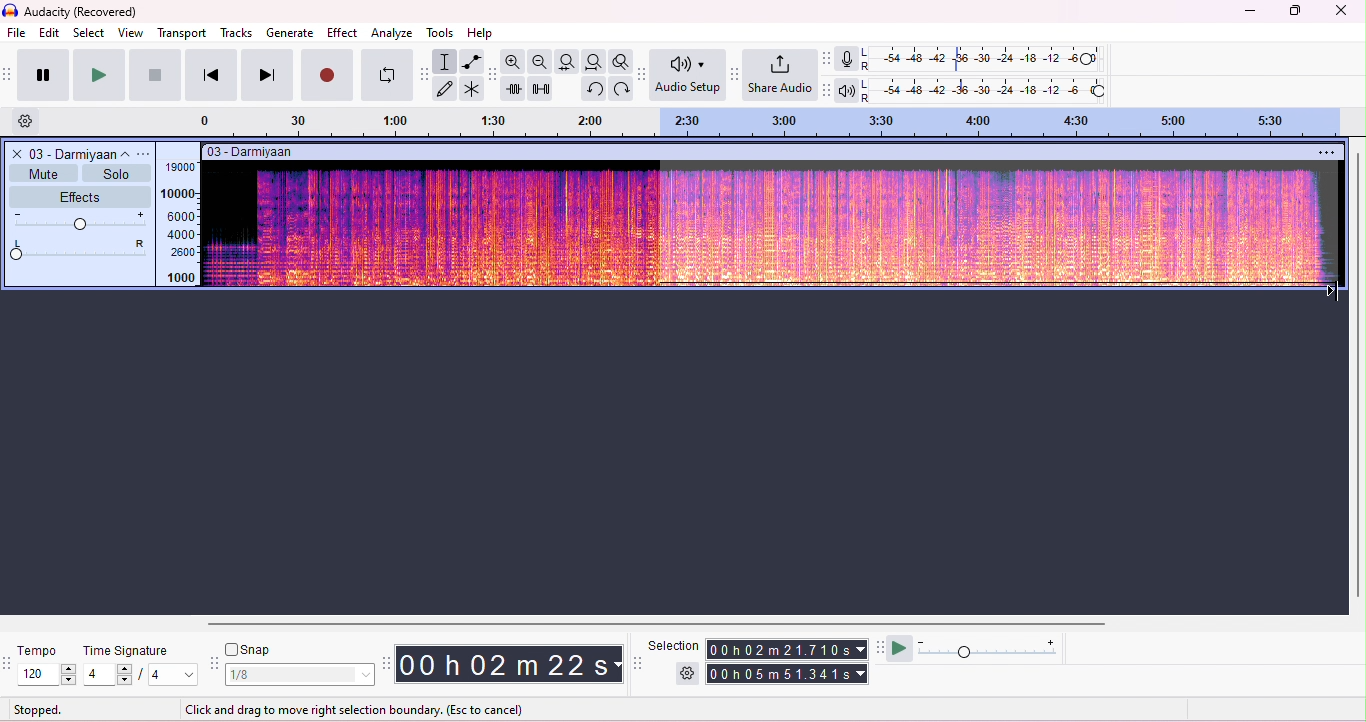 The width and height of the screenshot is (1366, 722). What do you see at coordinates (155, 74) in the screenshot?
I see `stop` at bounding box center [155, 74].